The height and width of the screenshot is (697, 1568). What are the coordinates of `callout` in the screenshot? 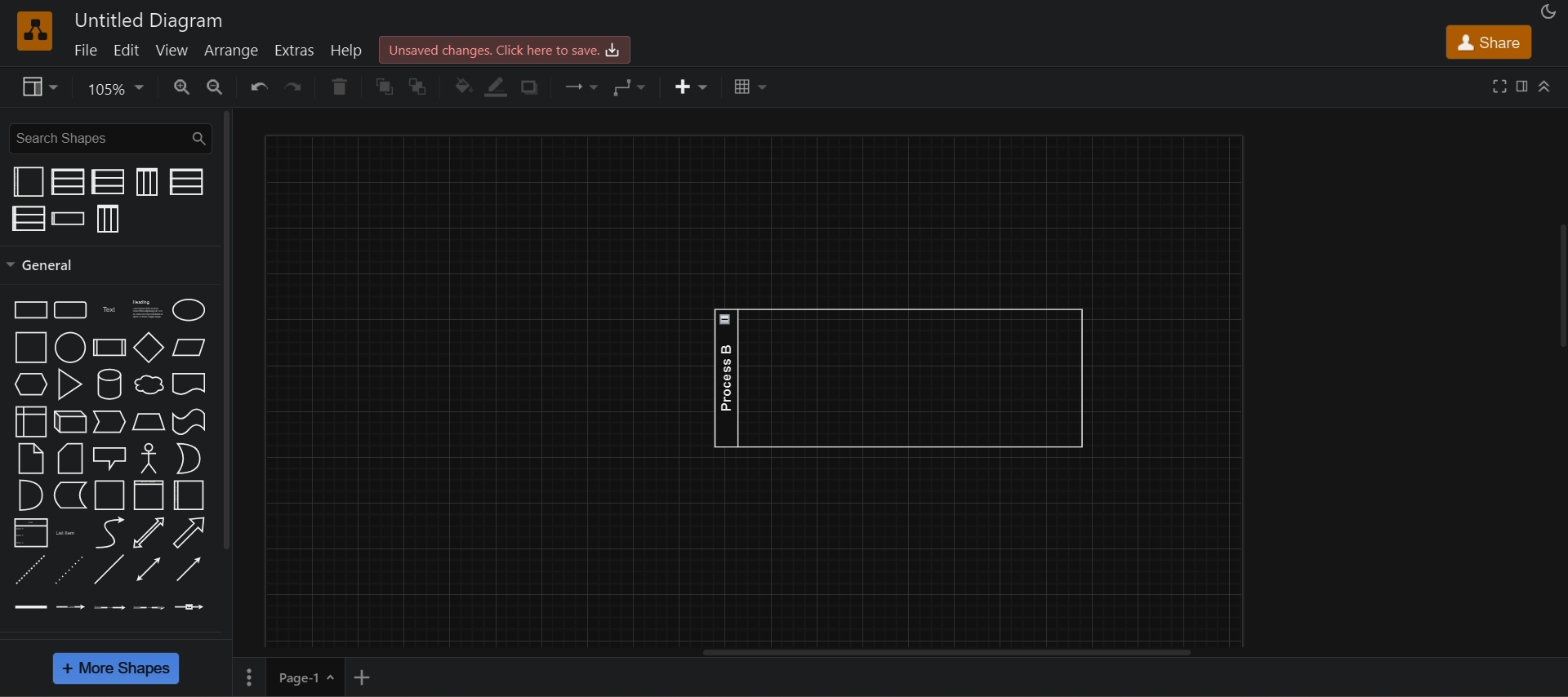 It's located at (109, 459).